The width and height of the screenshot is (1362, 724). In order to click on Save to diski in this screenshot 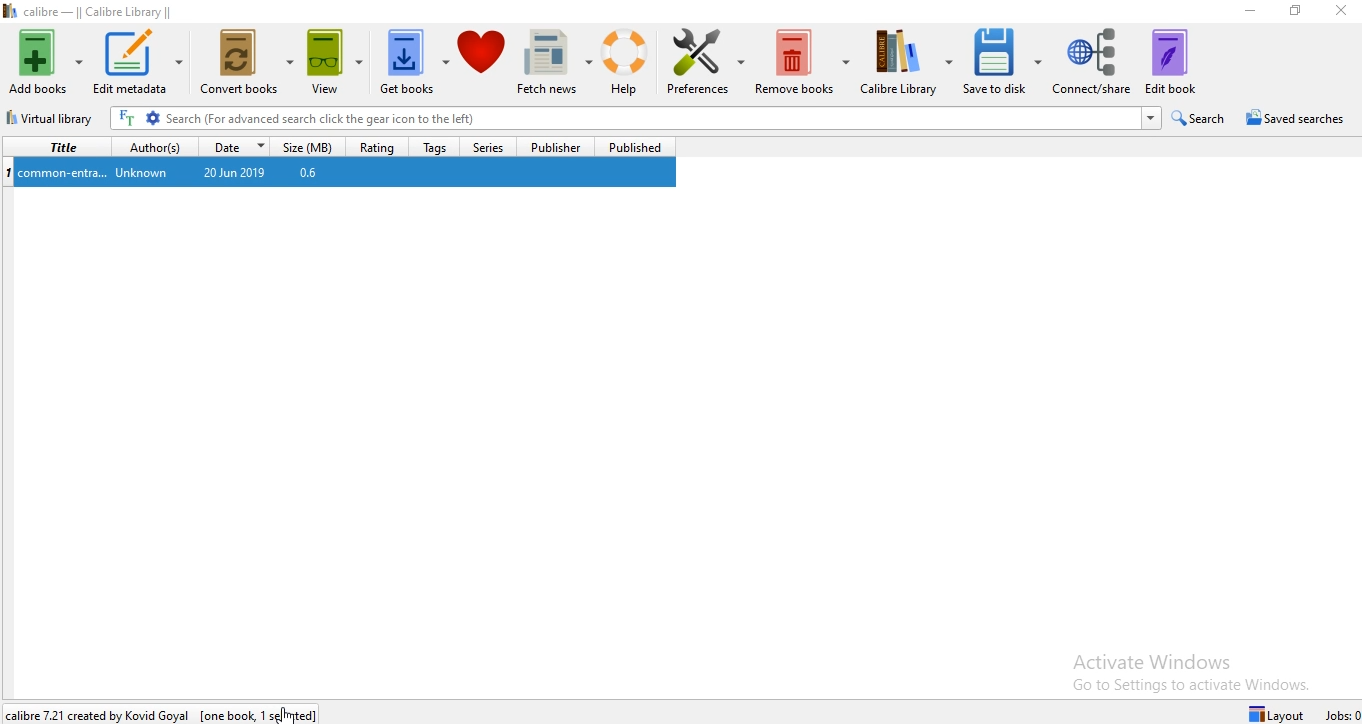, I will do `click(1003, 60)`.